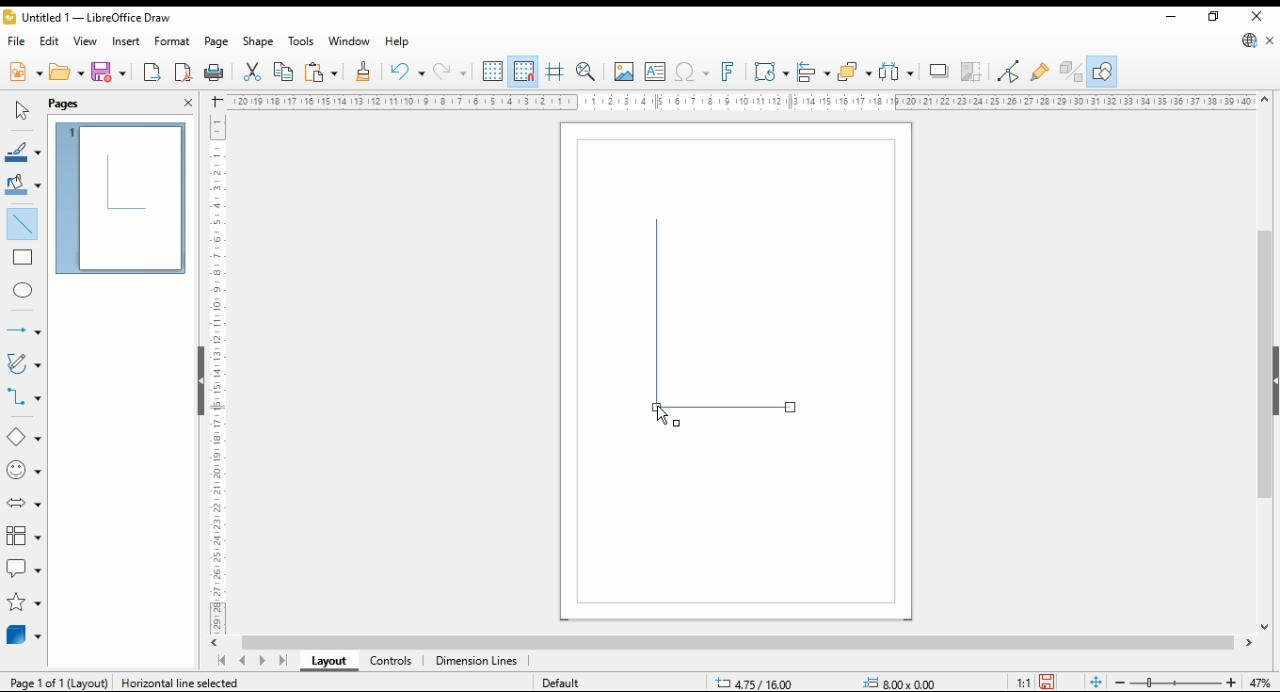 This screenshot has height=692, width=1280. What do you see at coordinates (187, 101) in the screenshot?
I see `close pane` at bounding box center [187, 101].